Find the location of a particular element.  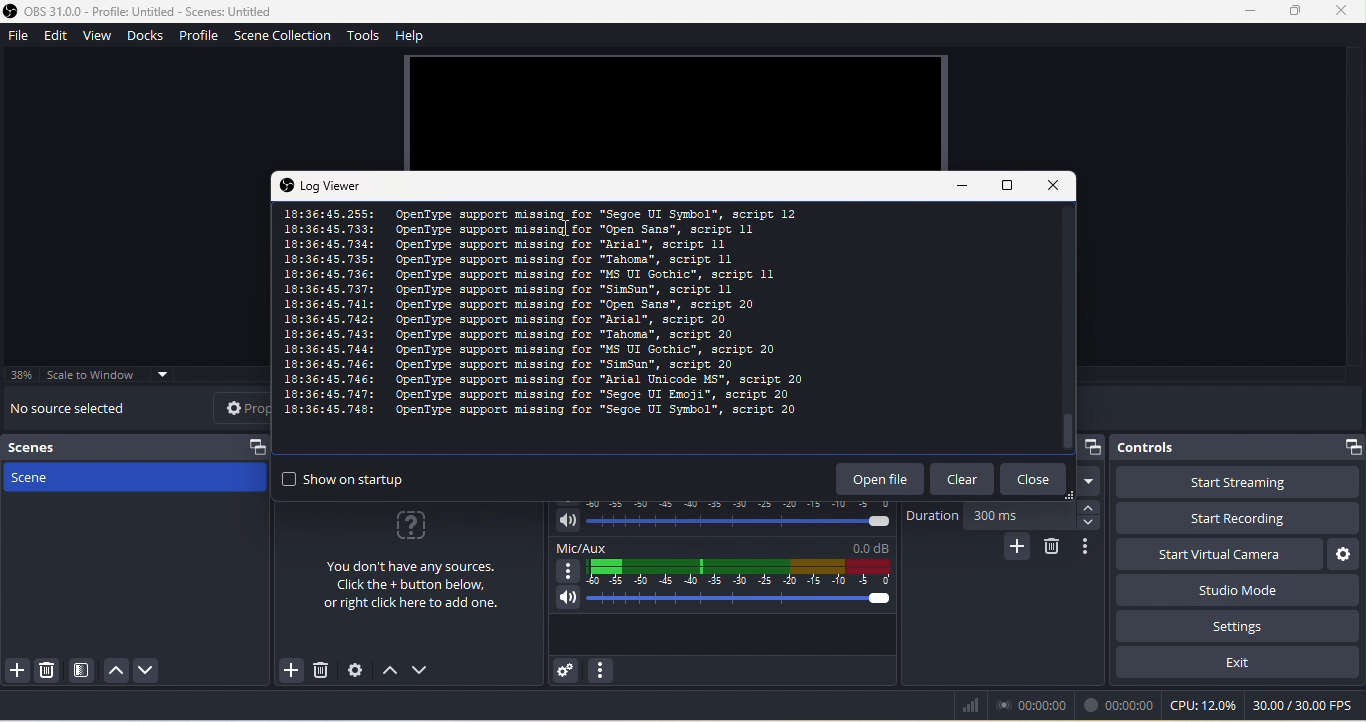

 you don't have any sources click the+ button below , or right click here to add one. is located at coordinates (409, 570).